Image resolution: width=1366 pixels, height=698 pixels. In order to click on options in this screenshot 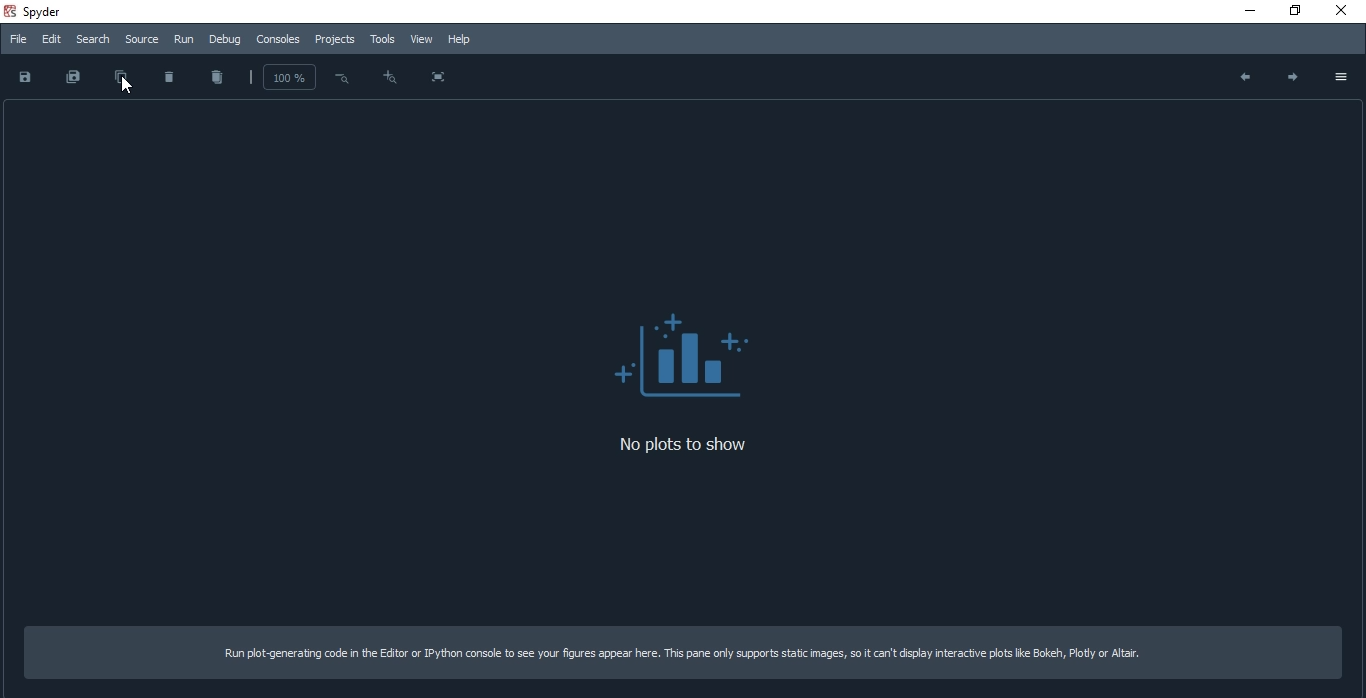, I will do `click(1339, 76)`.